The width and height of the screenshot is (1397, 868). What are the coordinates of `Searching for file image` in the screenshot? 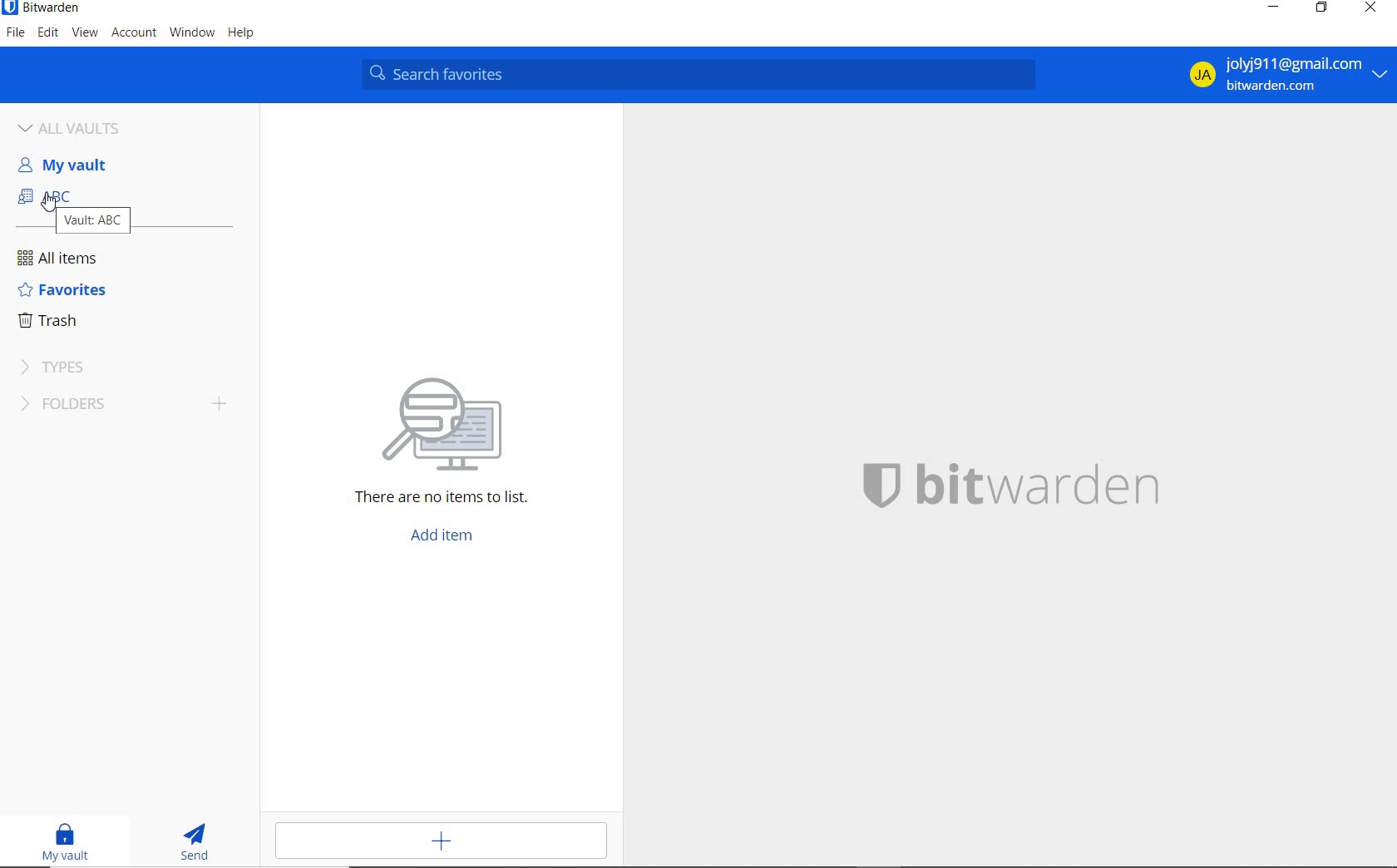 It's located at (463, 417).